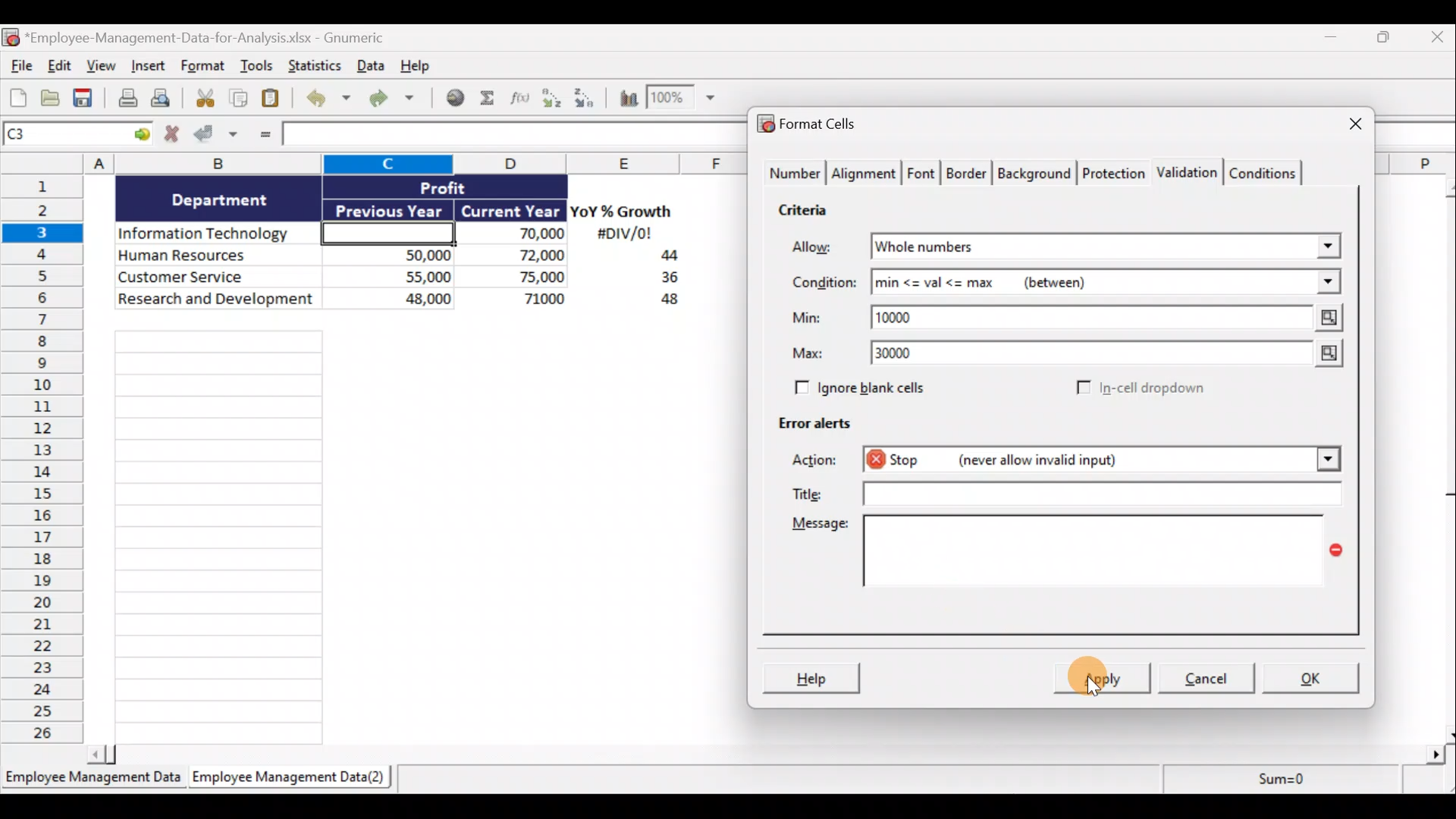 The width and height of the screenshot is (1456, 819). What do you see at coordinates (521, 97) in the screenshot?
I see `Edit a function in the current cell` at bounding box center [521, 97].